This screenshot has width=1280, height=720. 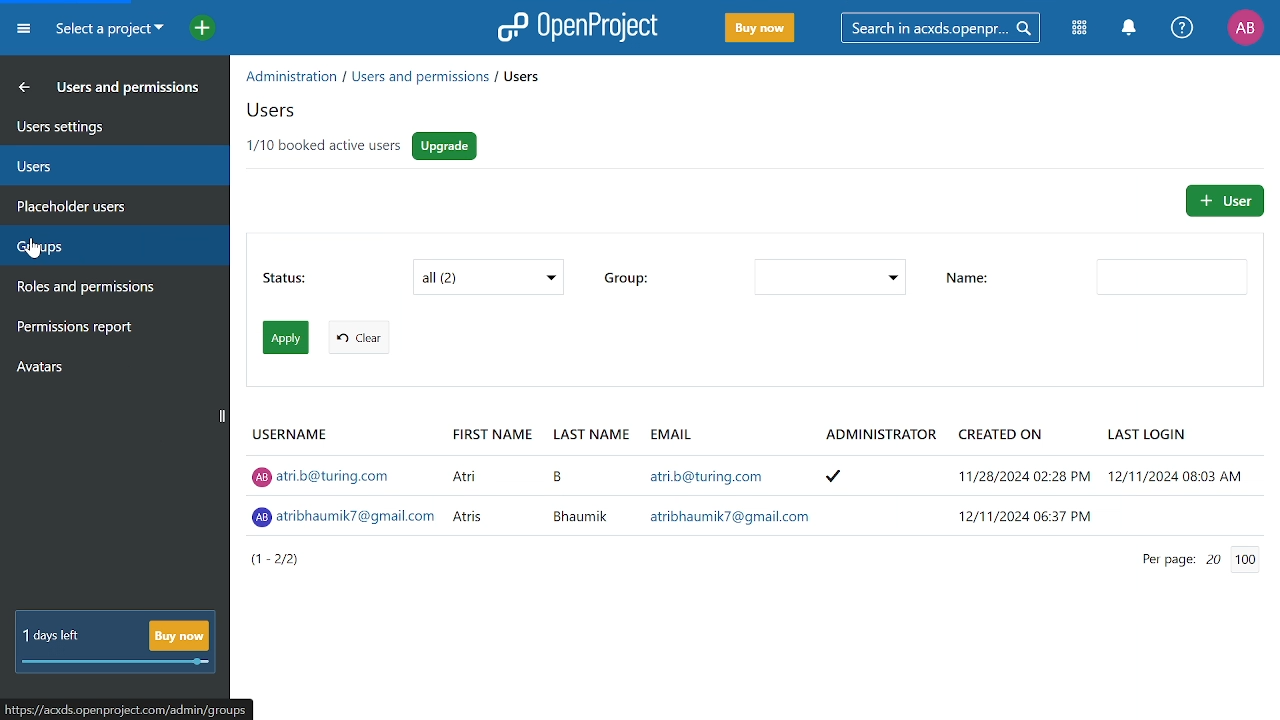 What do you see at coordinates (470, 497) in the screenshot?
I see `firstnames` at bounding box center [470, 497].